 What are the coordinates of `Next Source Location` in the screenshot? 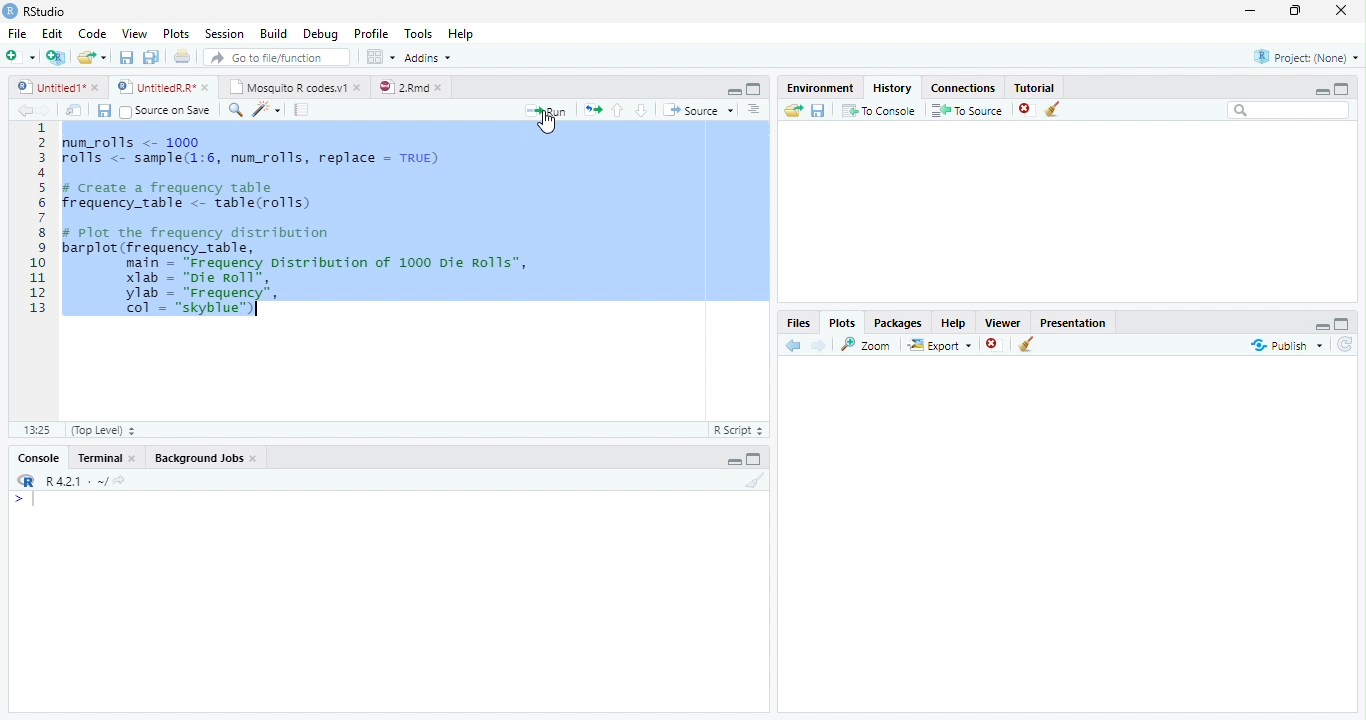 It's located at (45, 109).